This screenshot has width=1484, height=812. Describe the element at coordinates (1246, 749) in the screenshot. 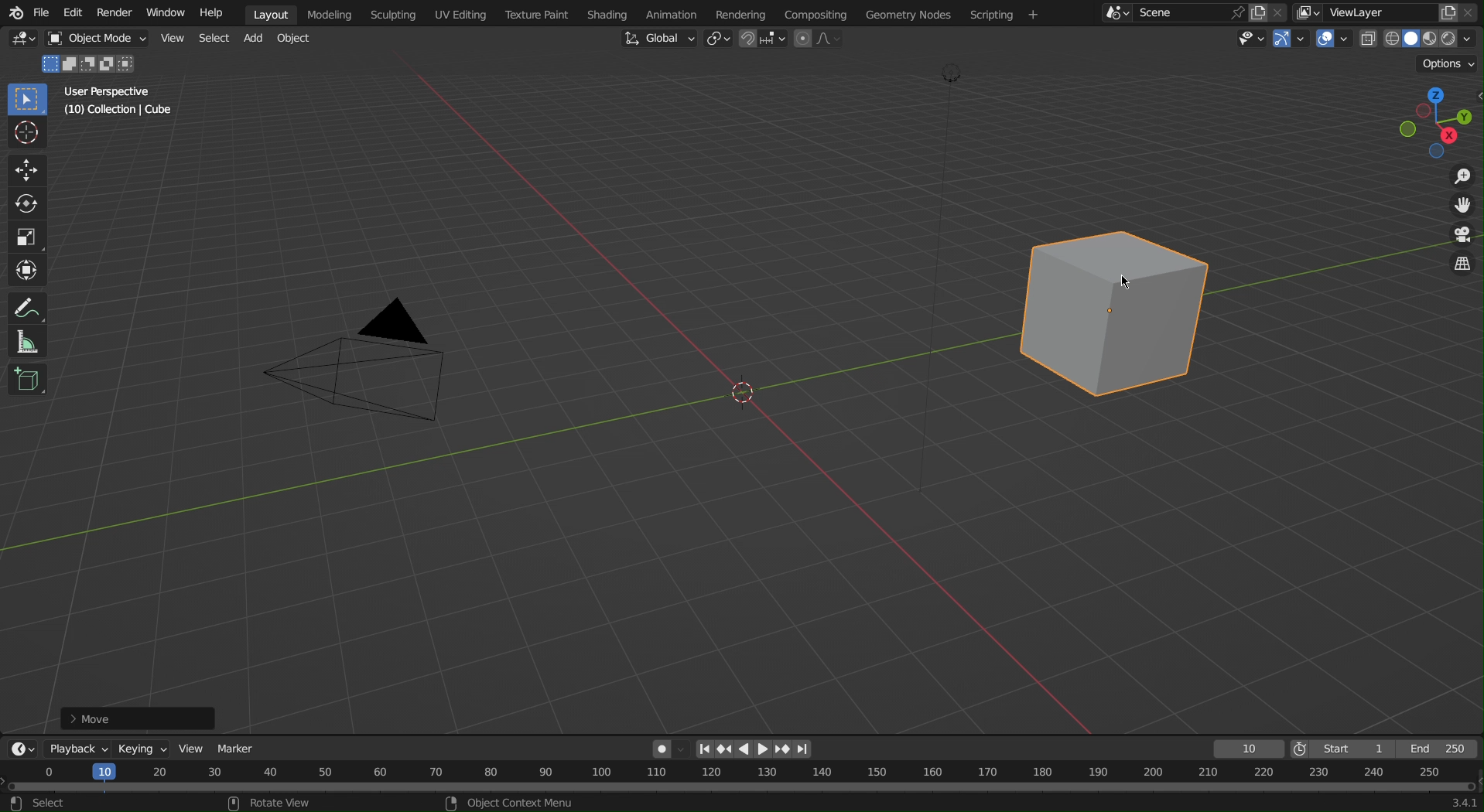

I see `Frame` at that location.